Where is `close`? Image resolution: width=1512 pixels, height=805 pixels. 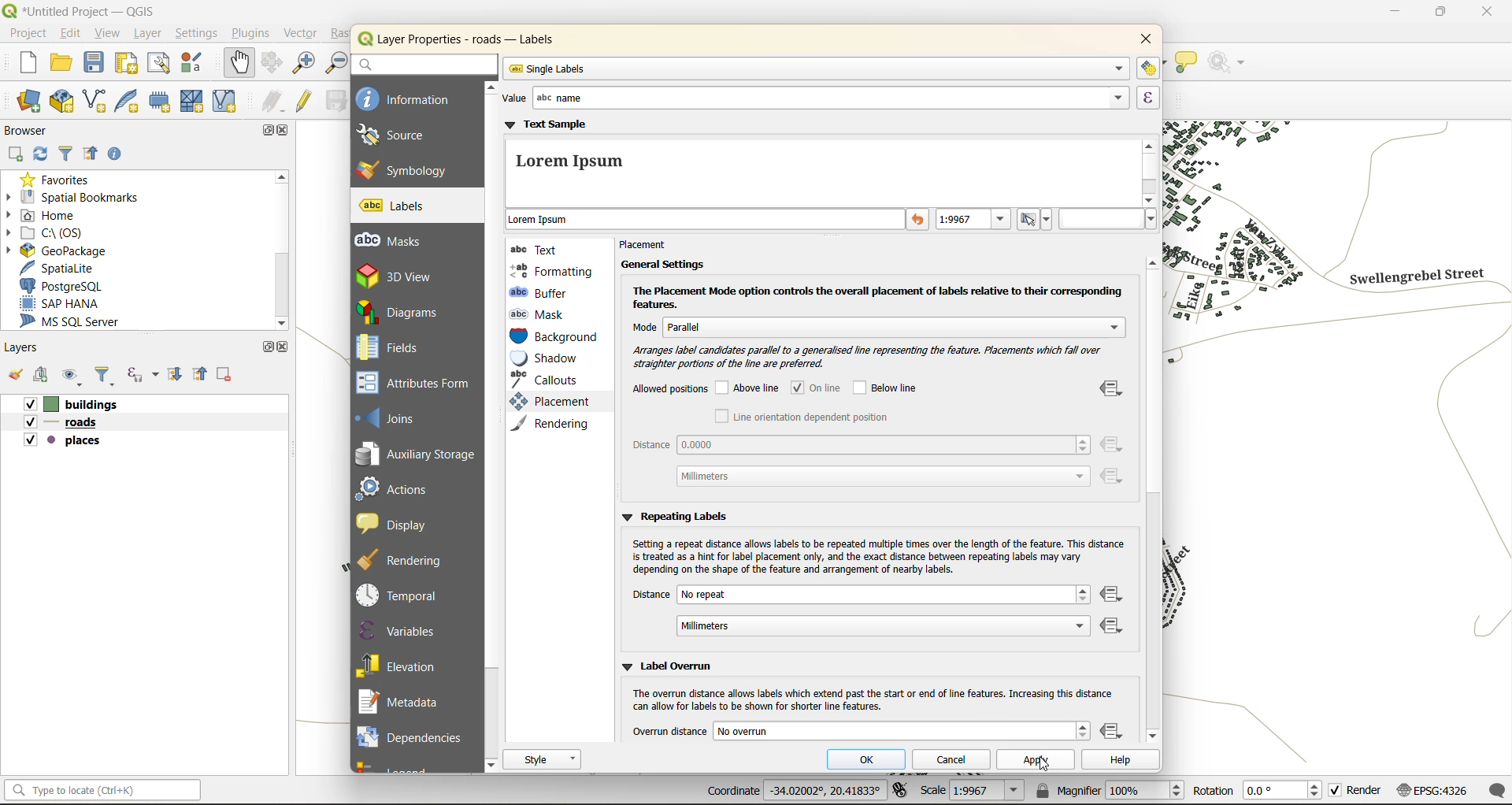 close is located at coordinates (286, 132).